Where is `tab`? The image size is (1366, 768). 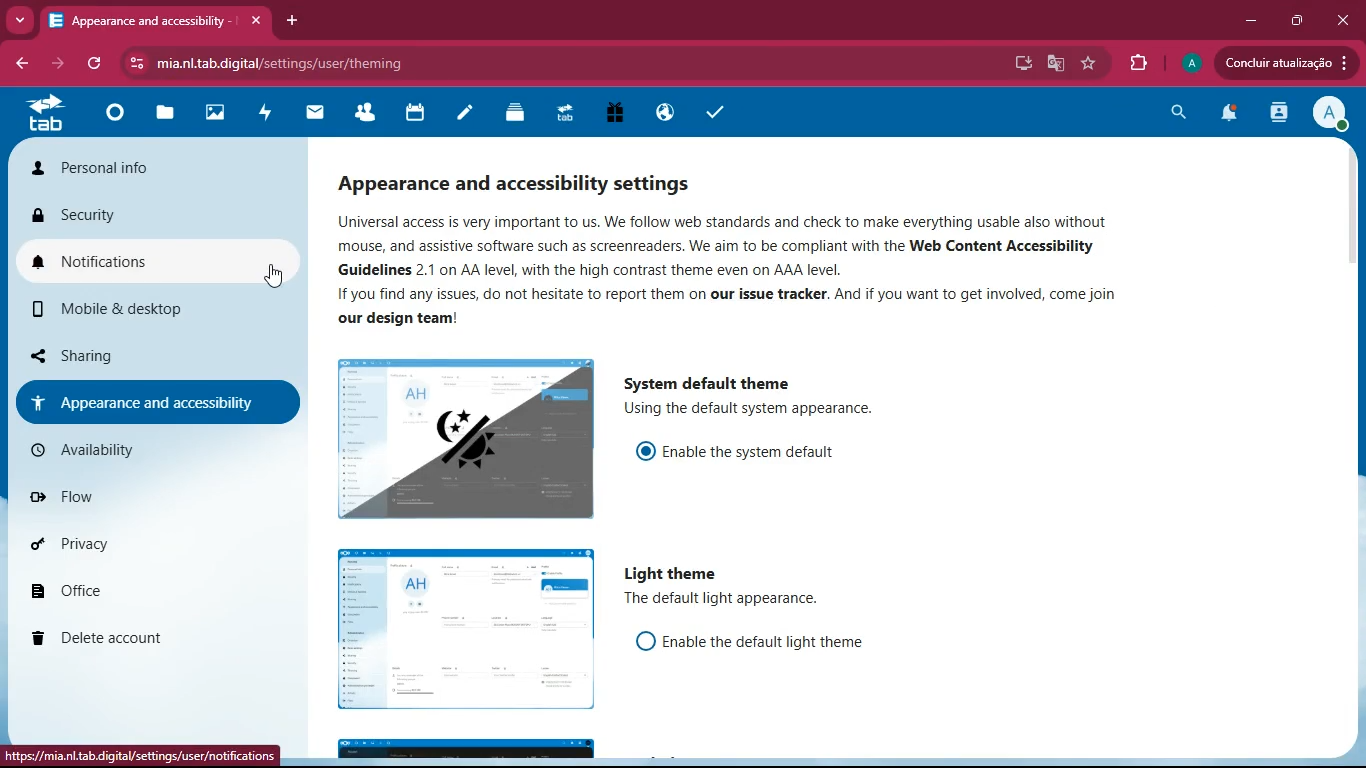
tab is located at coordinates (47, 116).